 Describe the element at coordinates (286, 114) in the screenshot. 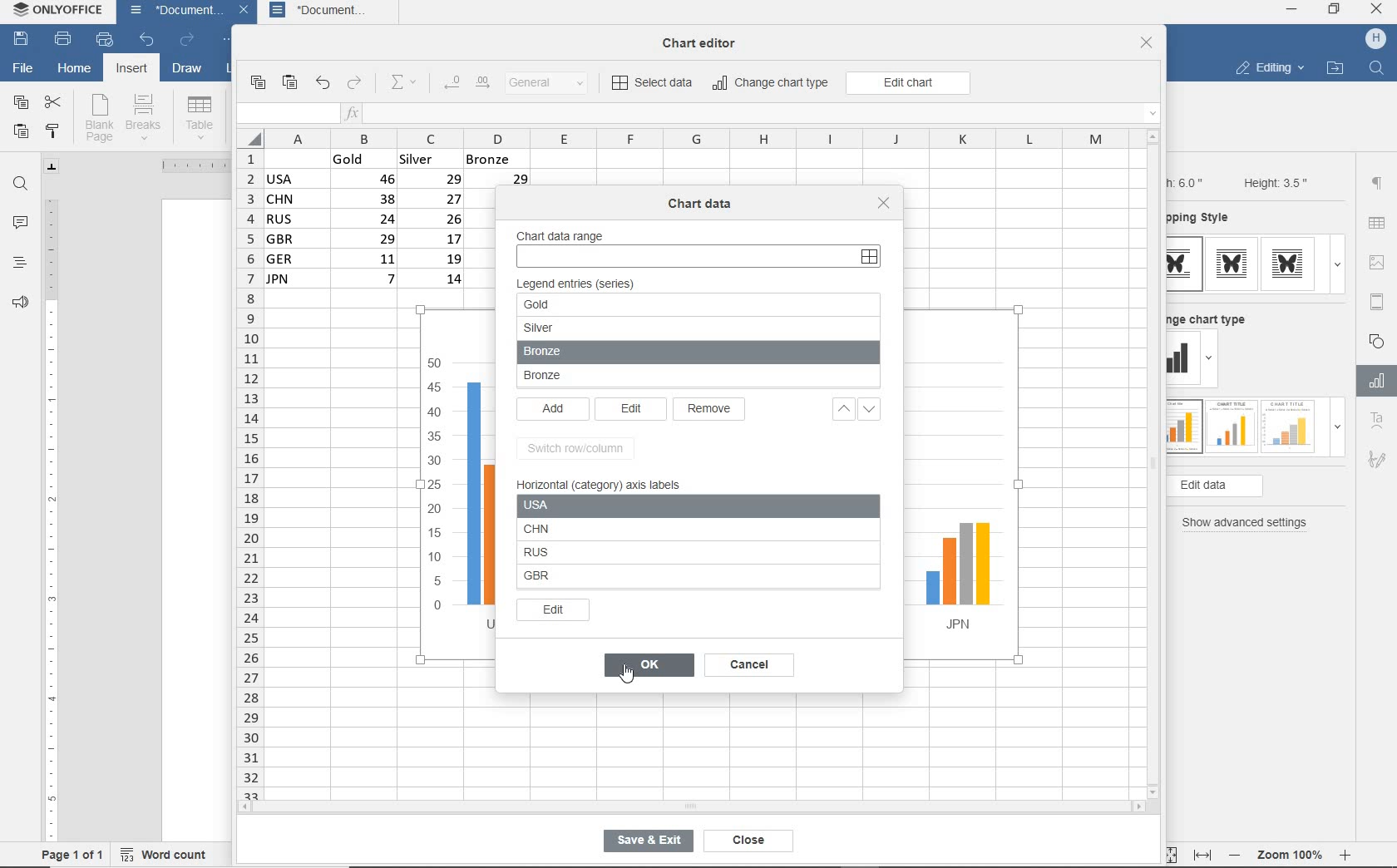

I see `input field` at that location.